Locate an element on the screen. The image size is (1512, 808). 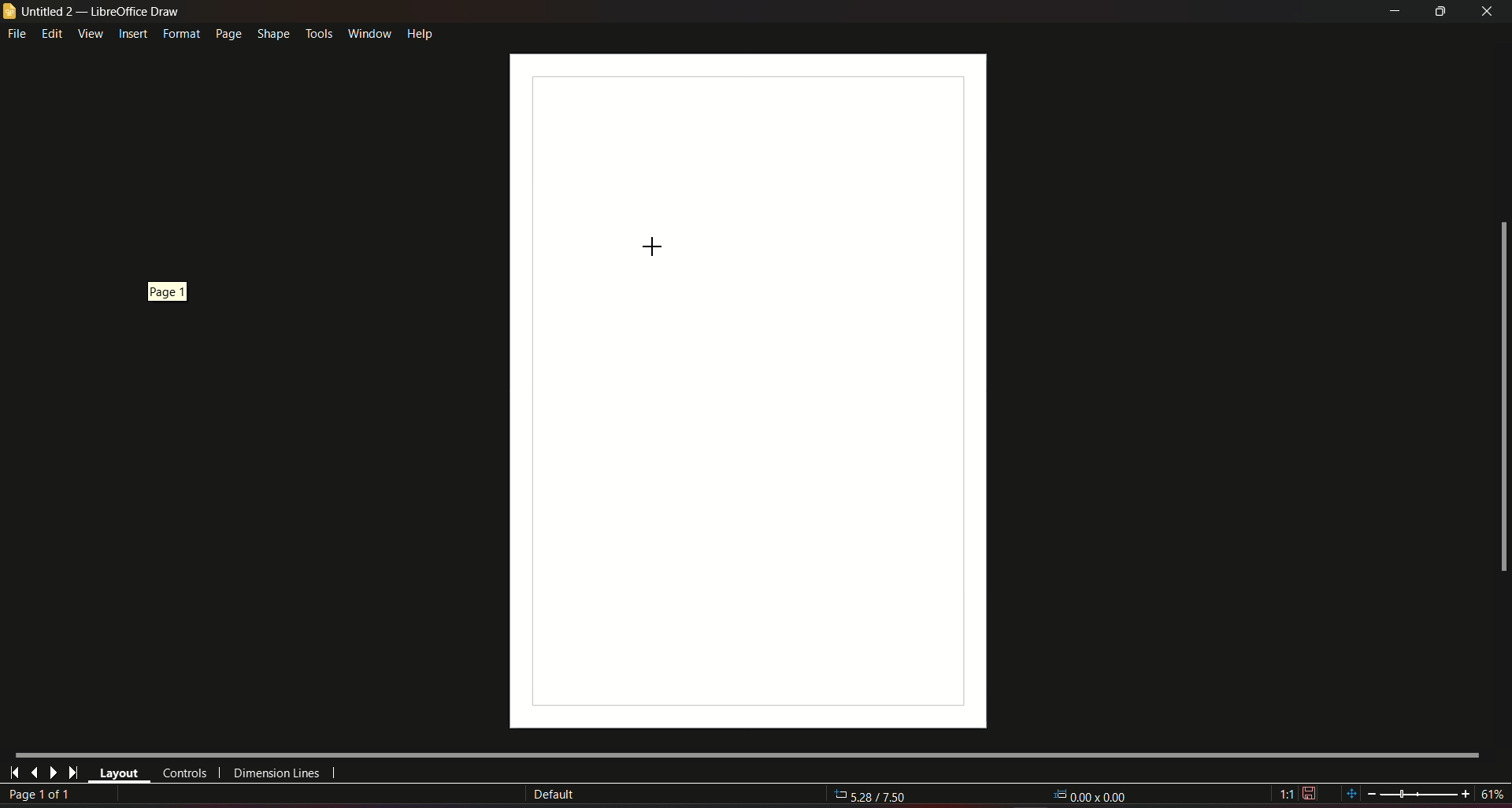
tools is located at coordinates (318, 32).